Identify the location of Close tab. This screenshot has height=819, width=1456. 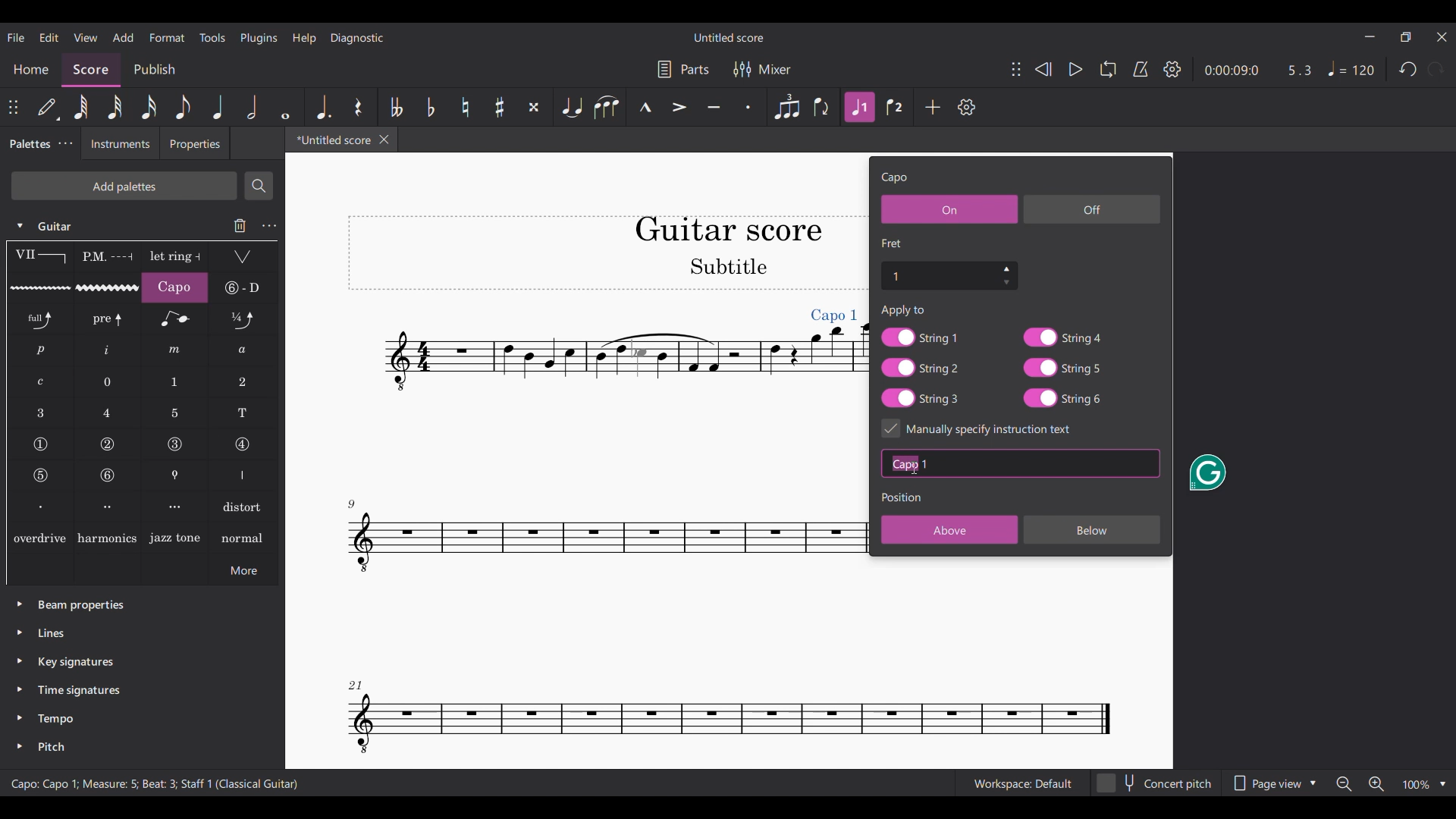
(384, 140).